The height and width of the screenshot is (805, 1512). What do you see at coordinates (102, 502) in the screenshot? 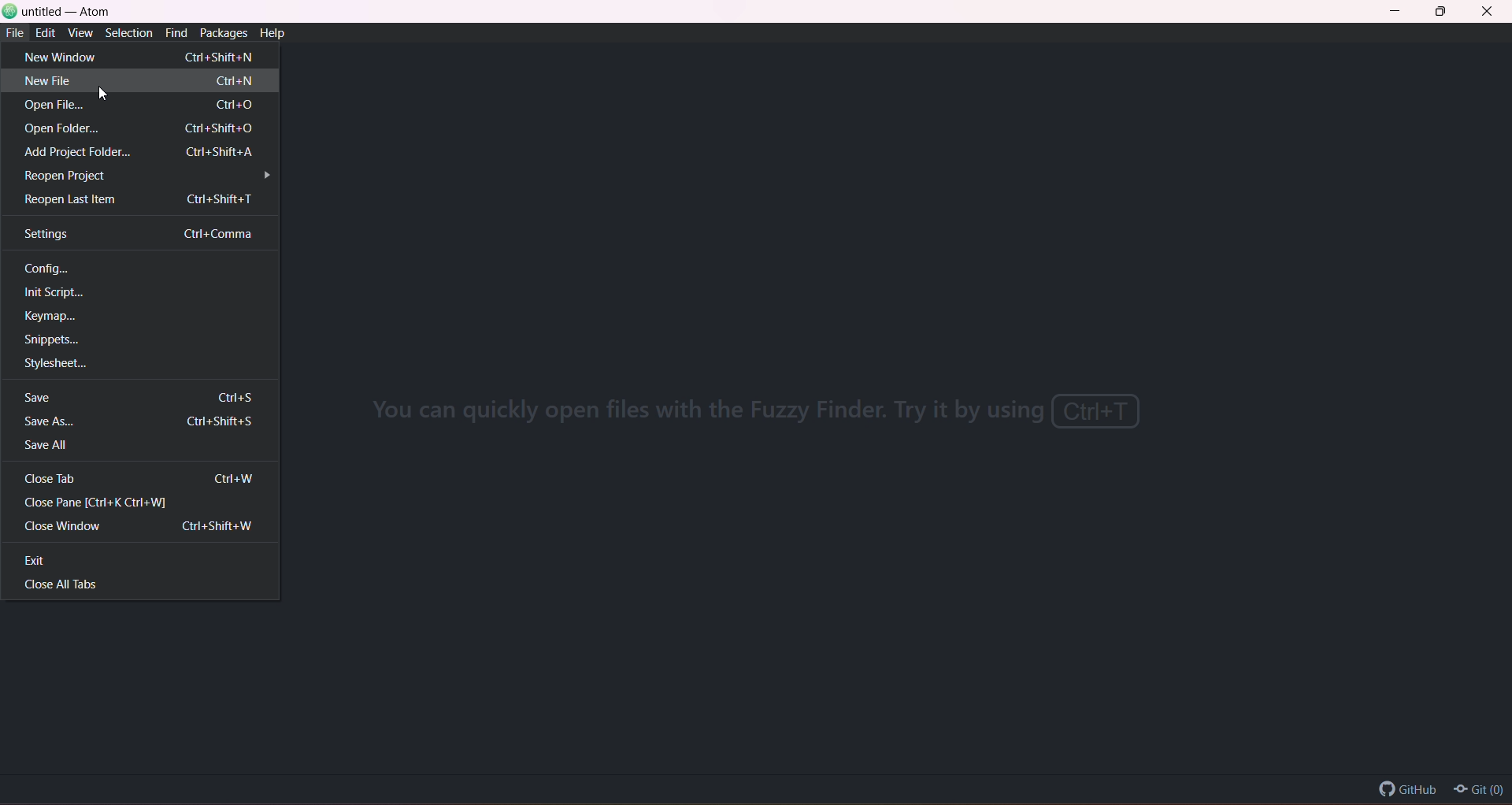
I see `Close Pane [Ctrl+K Ctrl+W]` at bounding box center [102, 502].